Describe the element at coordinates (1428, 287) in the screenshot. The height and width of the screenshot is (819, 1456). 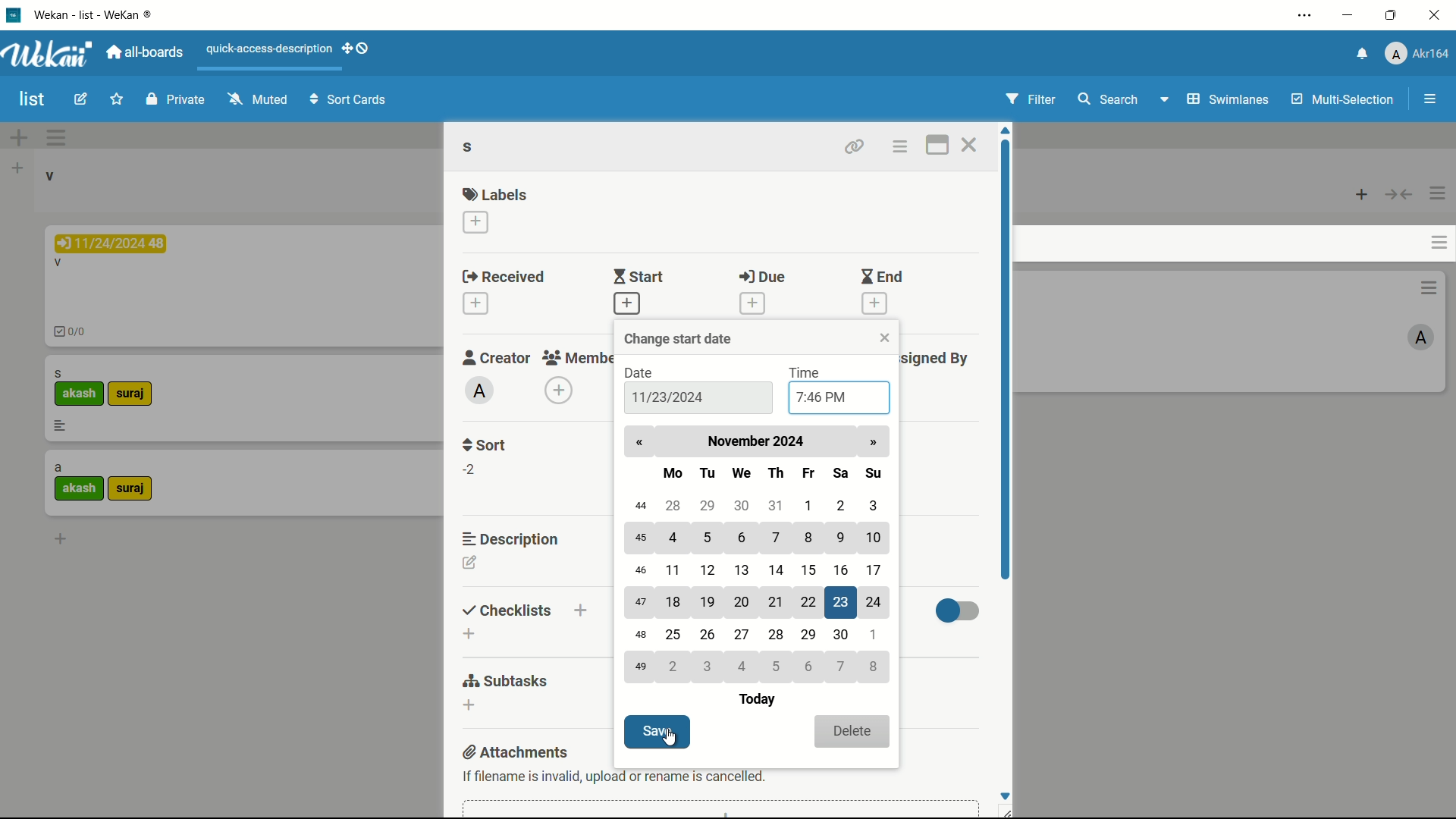
I see `card actions` at that location.